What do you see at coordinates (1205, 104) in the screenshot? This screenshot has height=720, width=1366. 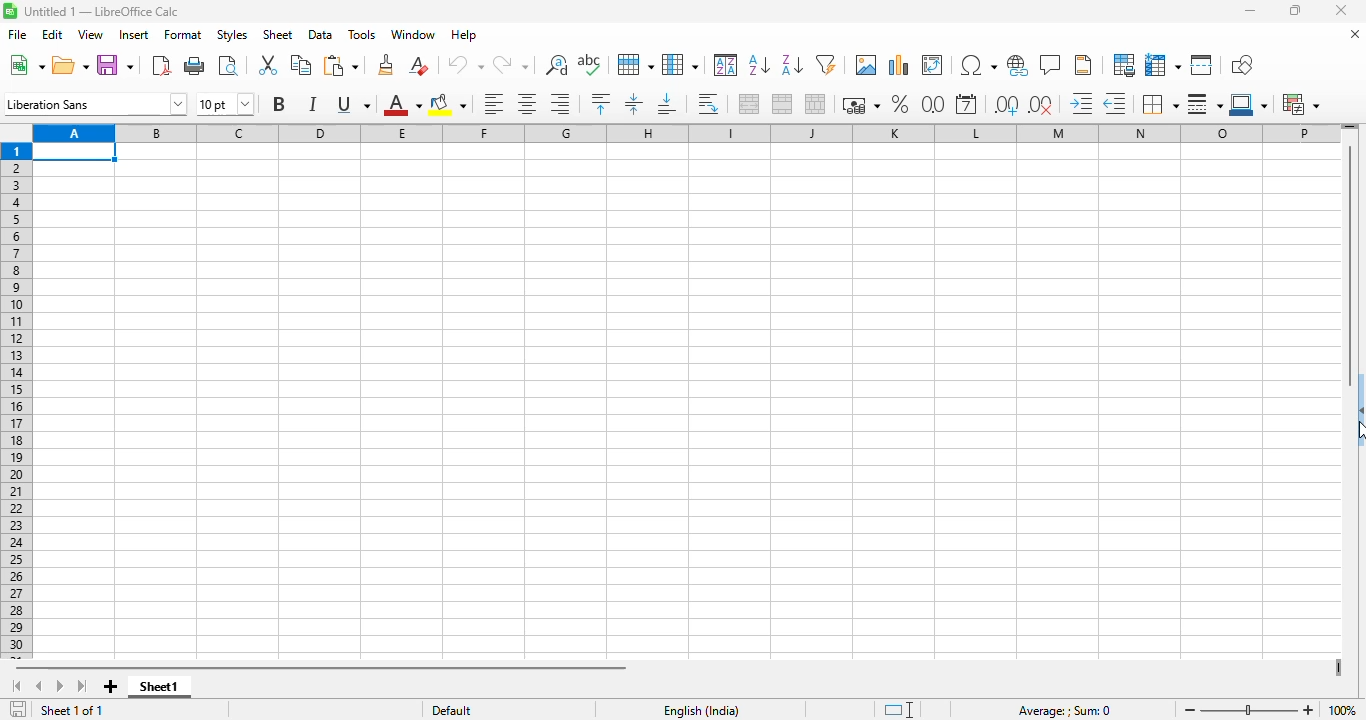 I see `border style` at bounding box center [1205, 104].